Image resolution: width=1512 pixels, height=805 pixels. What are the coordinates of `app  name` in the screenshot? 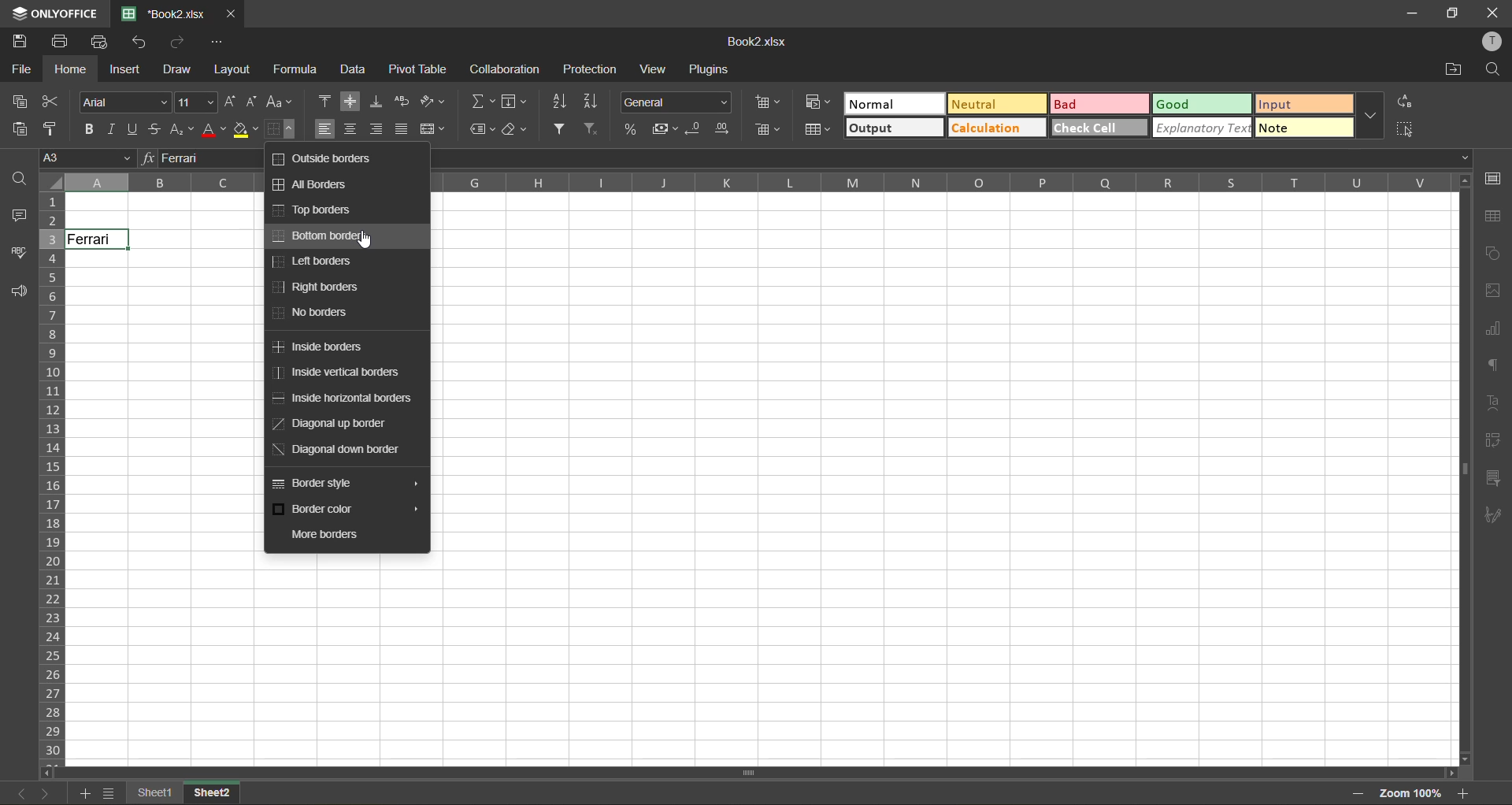 It's located at (50, 12).